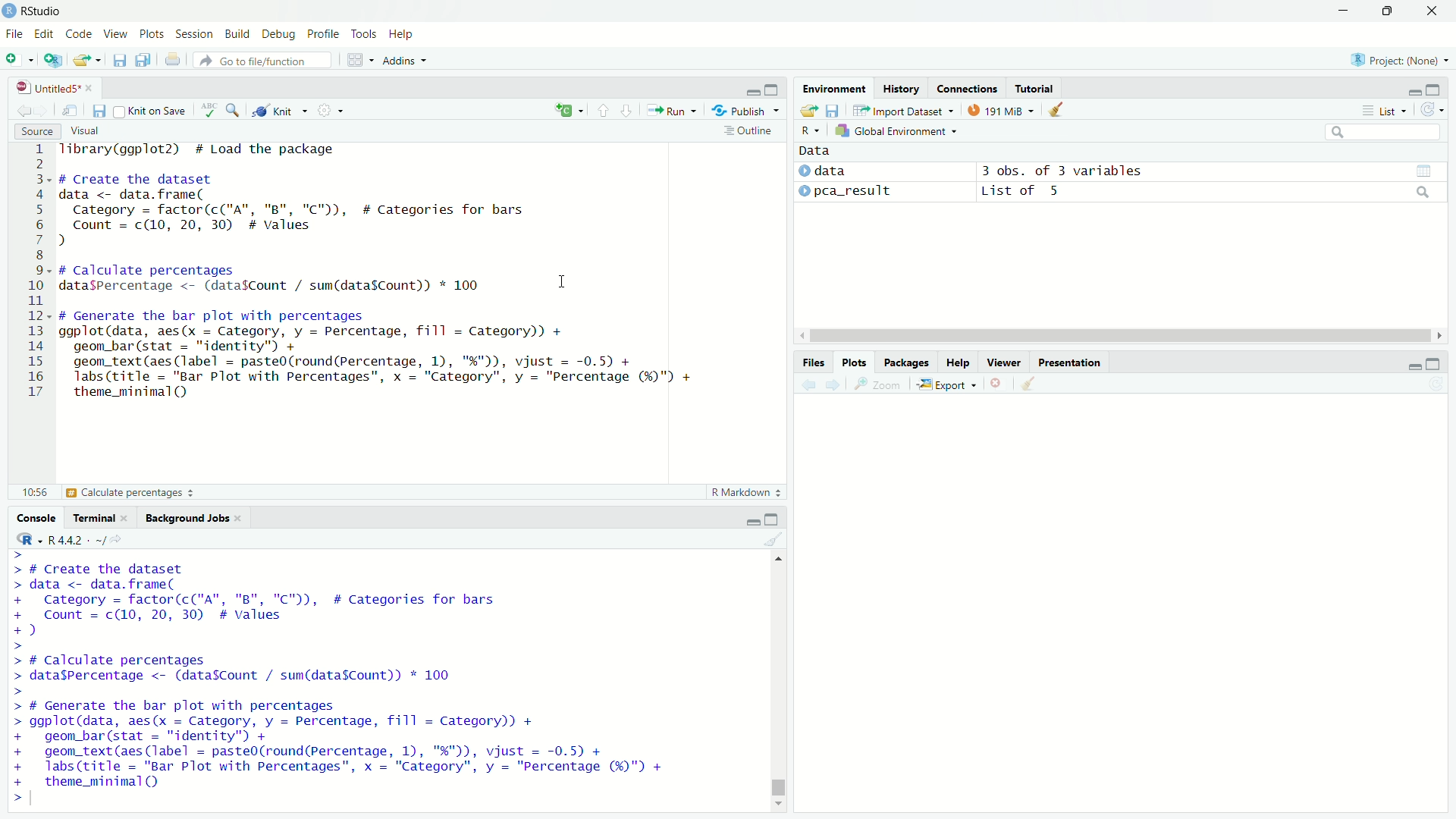 The width and height of the screenshot is (1456, 819). I want to click on Code, so click(80, 35).